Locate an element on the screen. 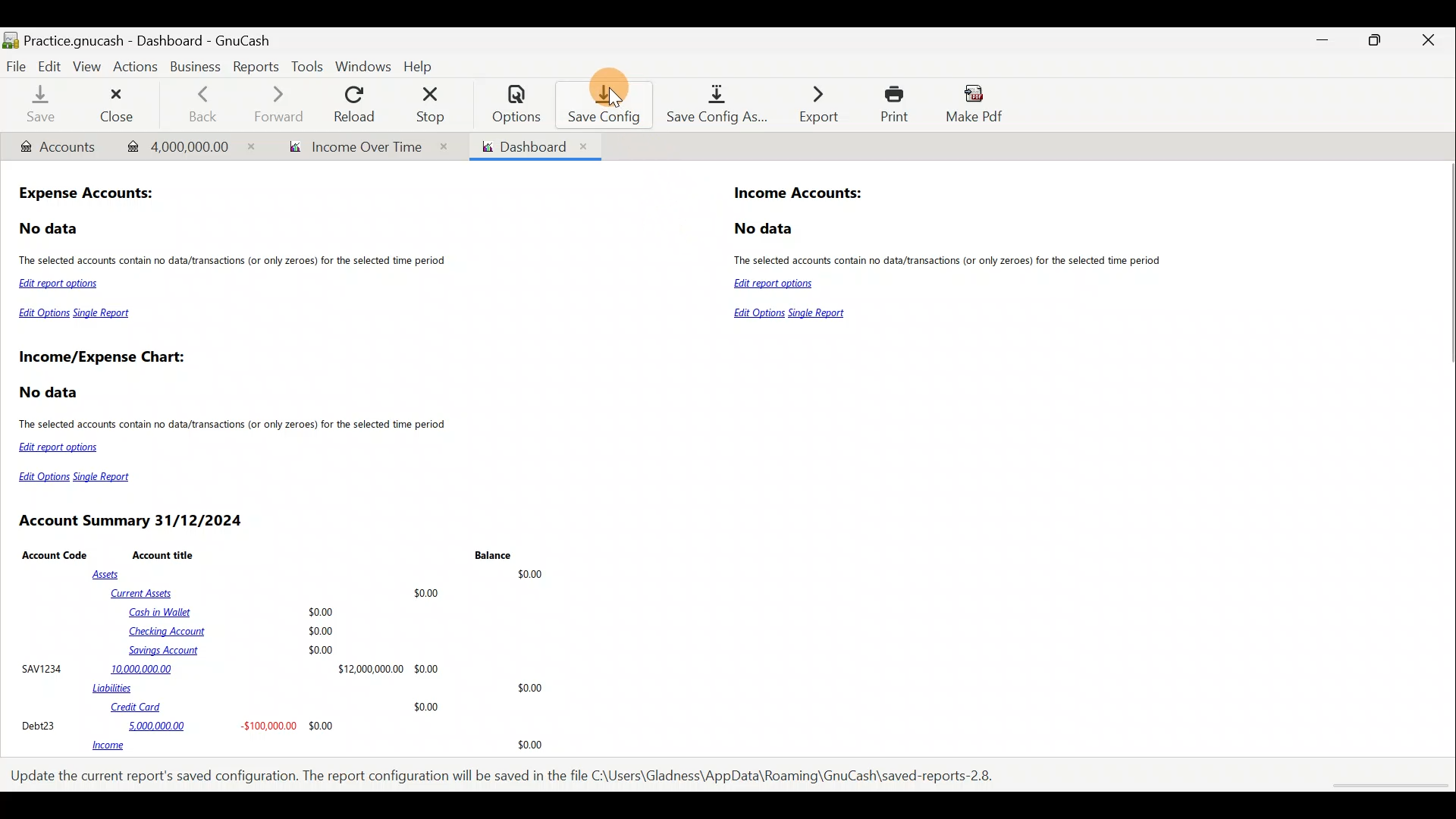 This screenshot has width=1456, height=819. Windows is located at coordinates (363, 66).